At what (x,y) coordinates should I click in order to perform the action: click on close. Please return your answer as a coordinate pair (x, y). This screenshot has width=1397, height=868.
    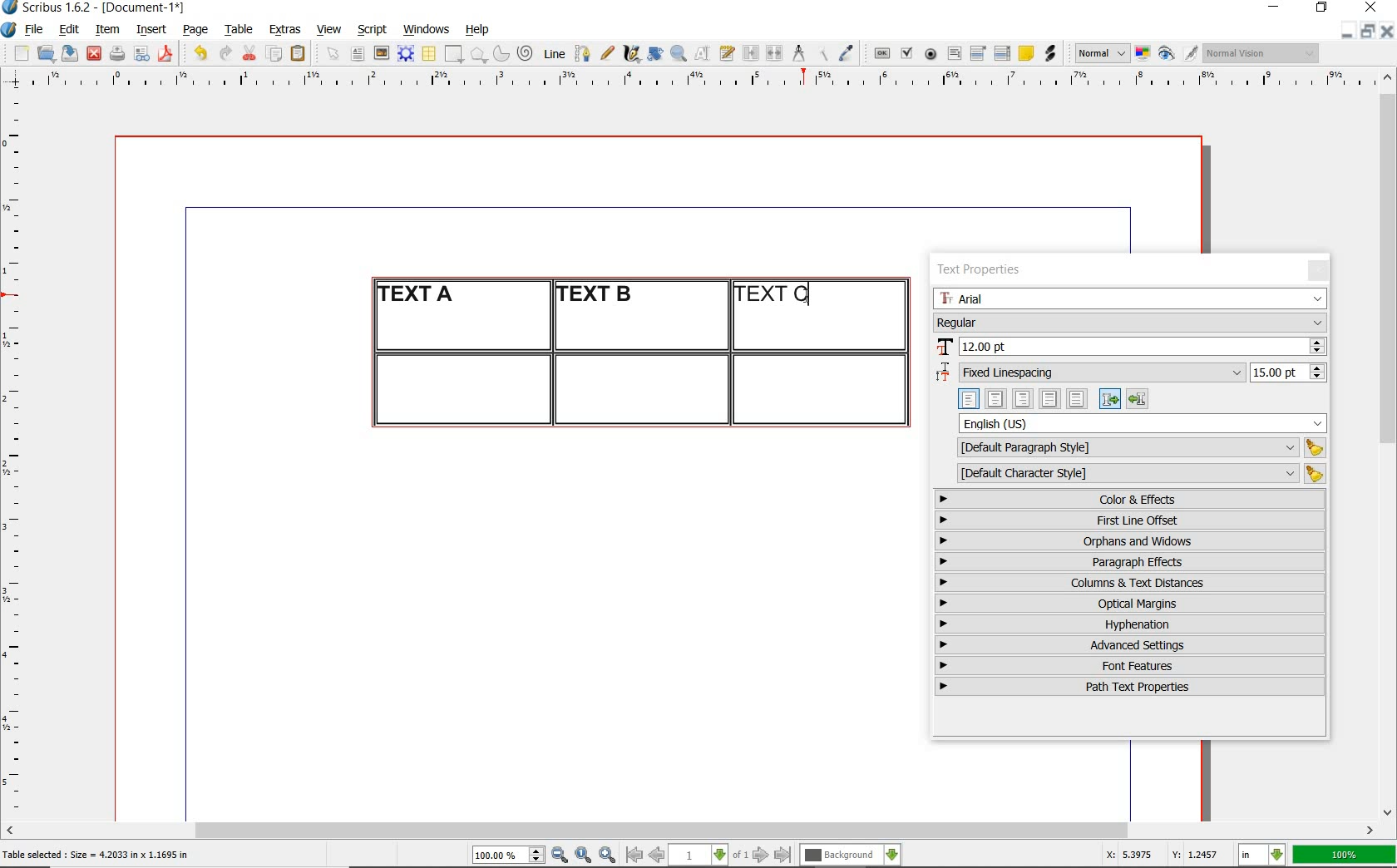
    Looking at the image, I should click on (1374, 7).